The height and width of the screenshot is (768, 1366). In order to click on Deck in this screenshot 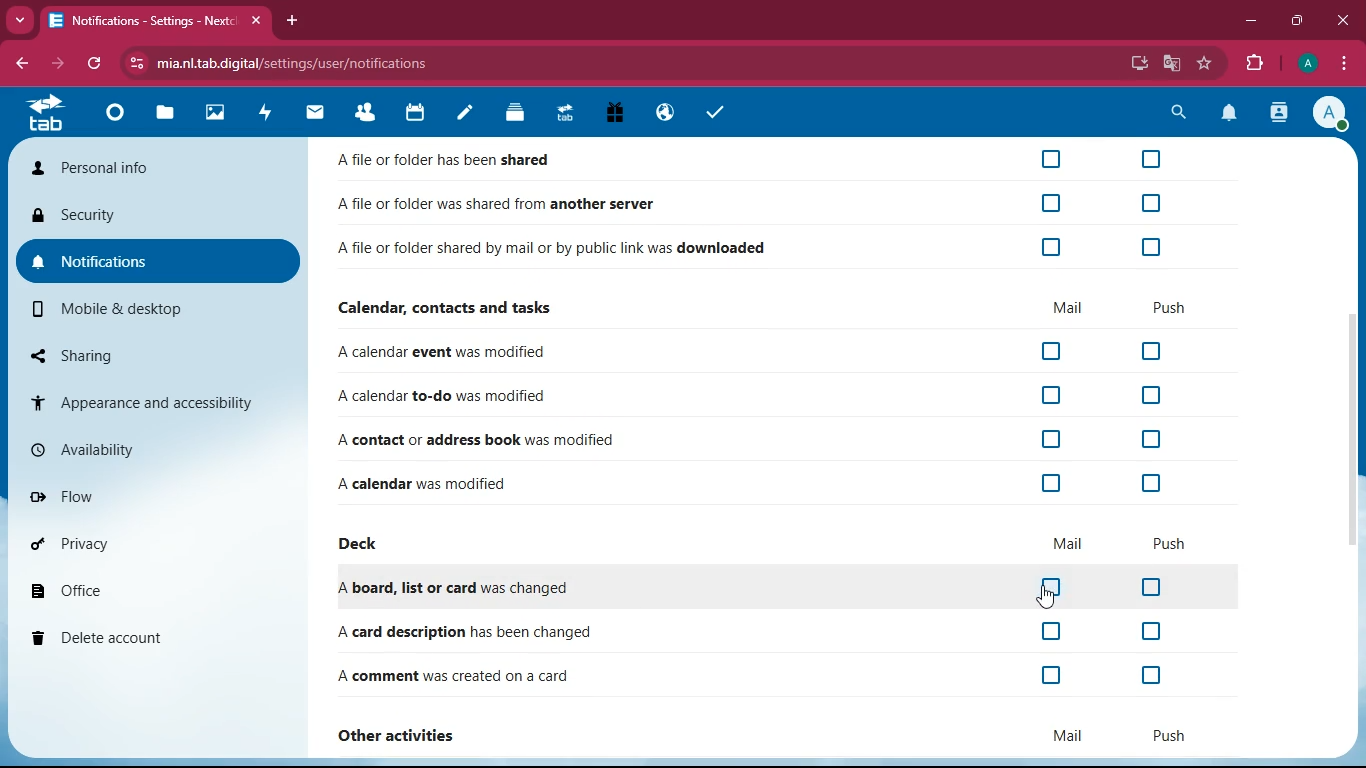, I will do `click(511, 114)`.